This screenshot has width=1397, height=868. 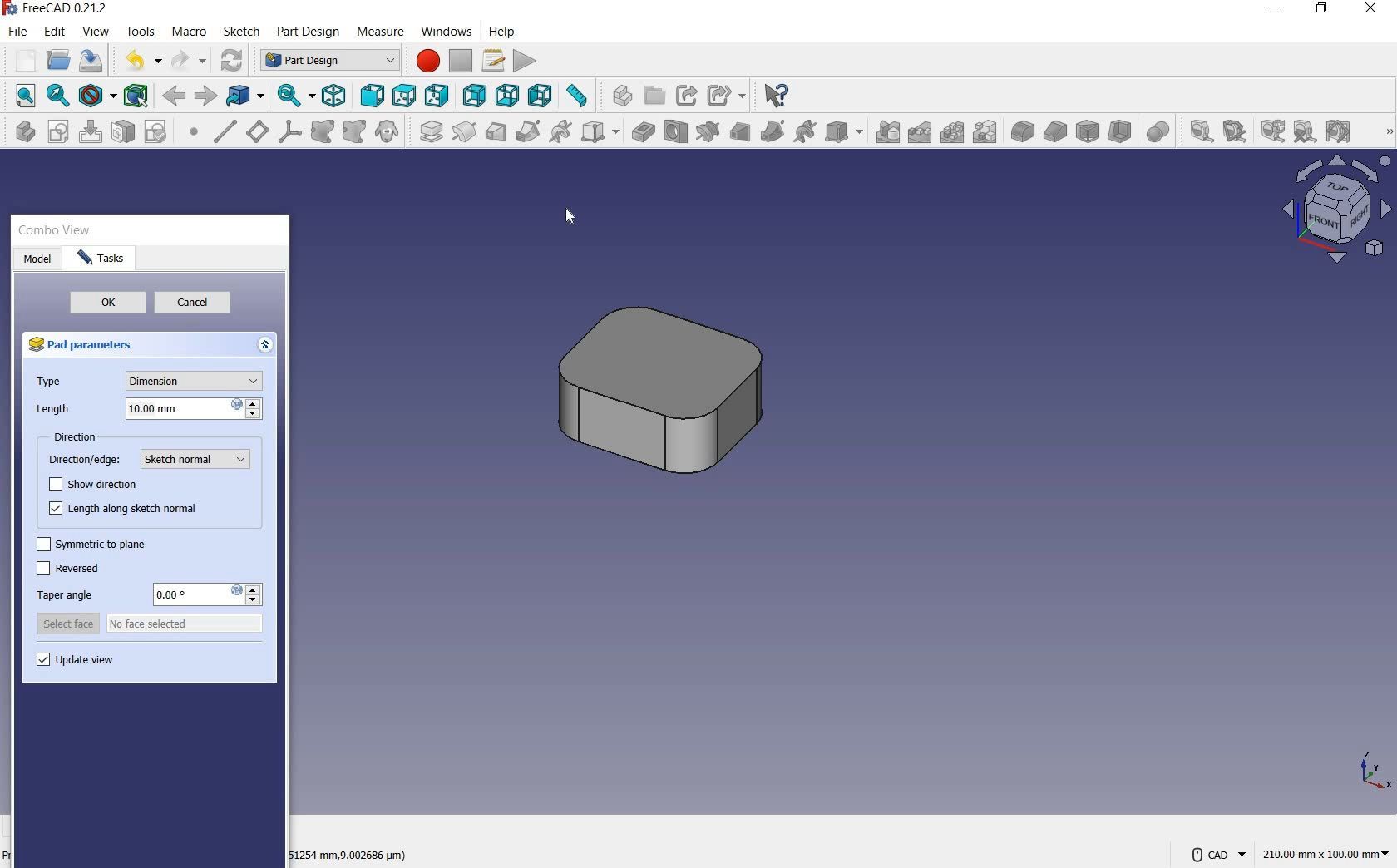 What do you see at coordinates (1055, 131) in the screenshot?
I see `chamfer` at bounding box center [1055, 131].